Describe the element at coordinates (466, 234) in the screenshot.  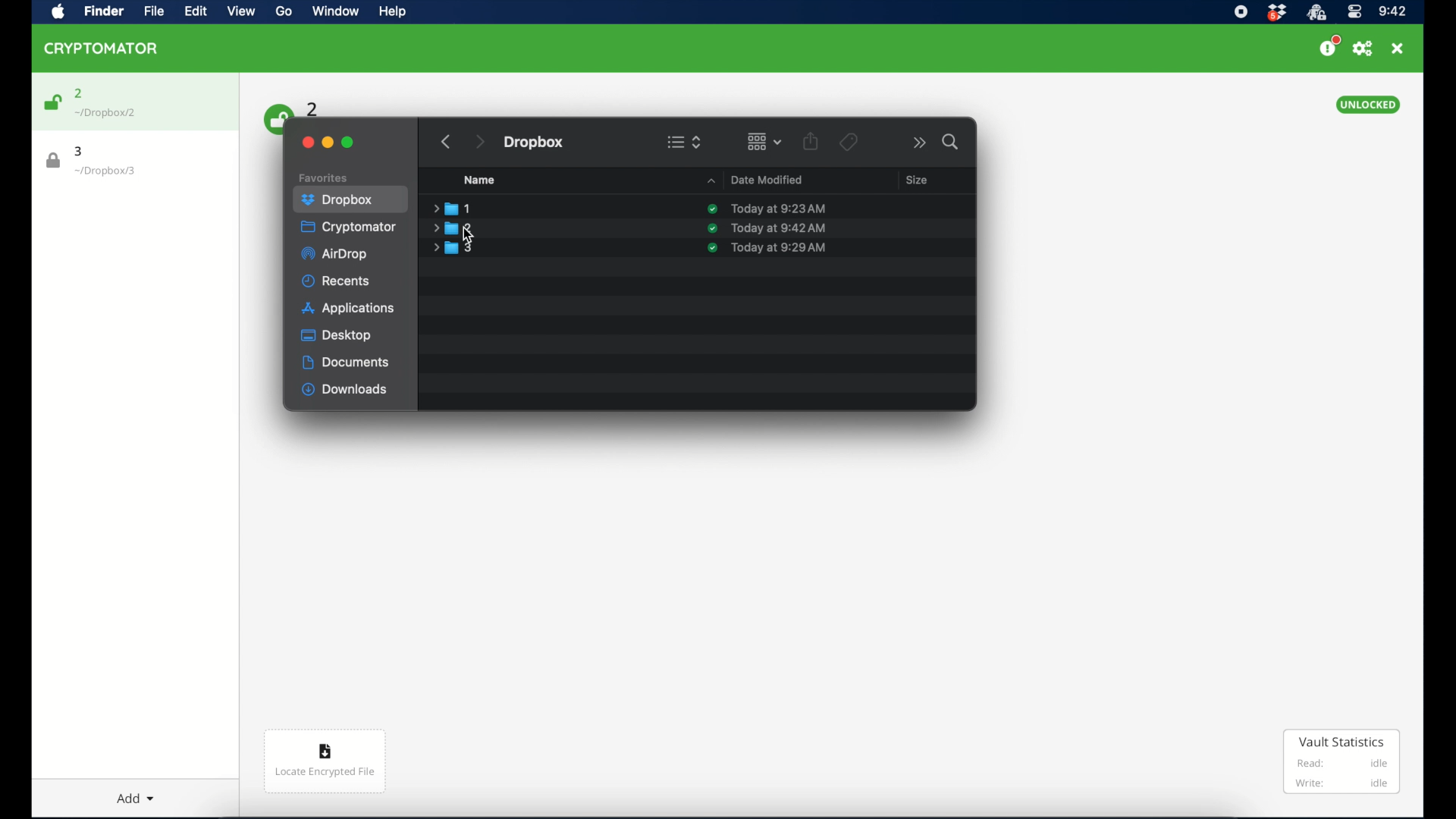
I see `cursor` at that location.